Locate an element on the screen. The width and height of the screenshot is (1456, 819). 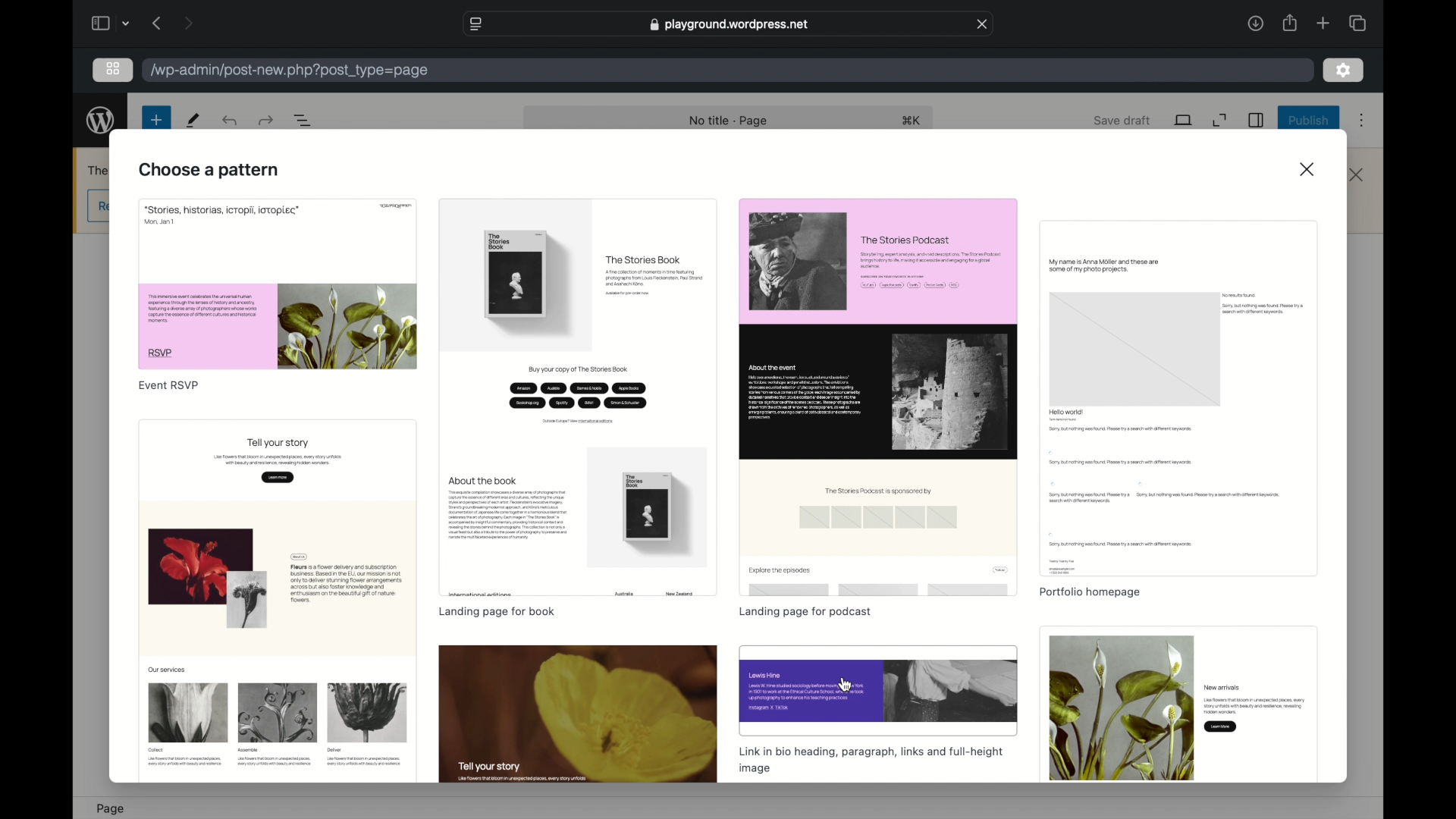
page is located at coordinates (112, 809).